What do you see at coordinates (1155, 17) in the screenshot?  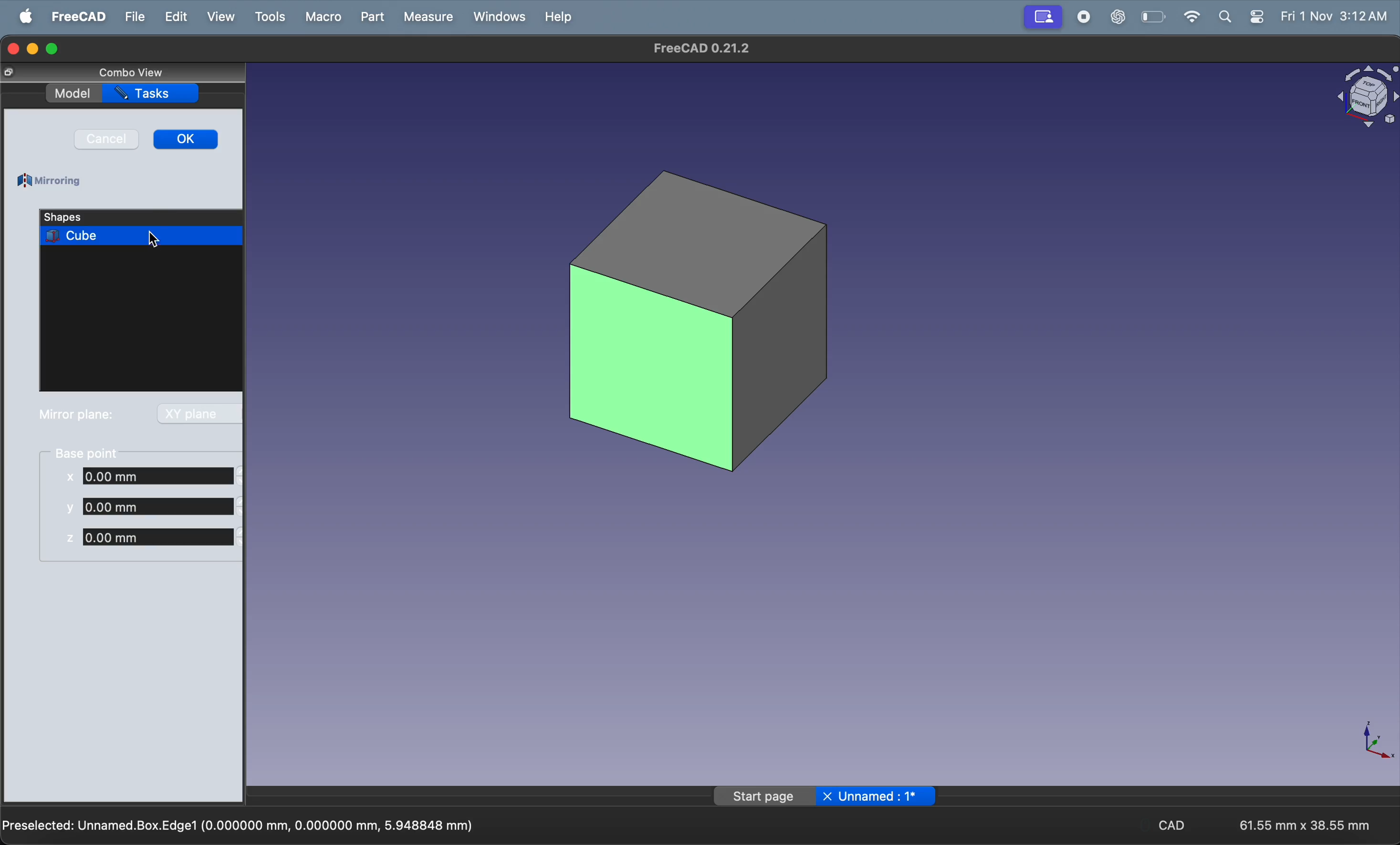 I see `battery` at bounding box center [1155, 17].